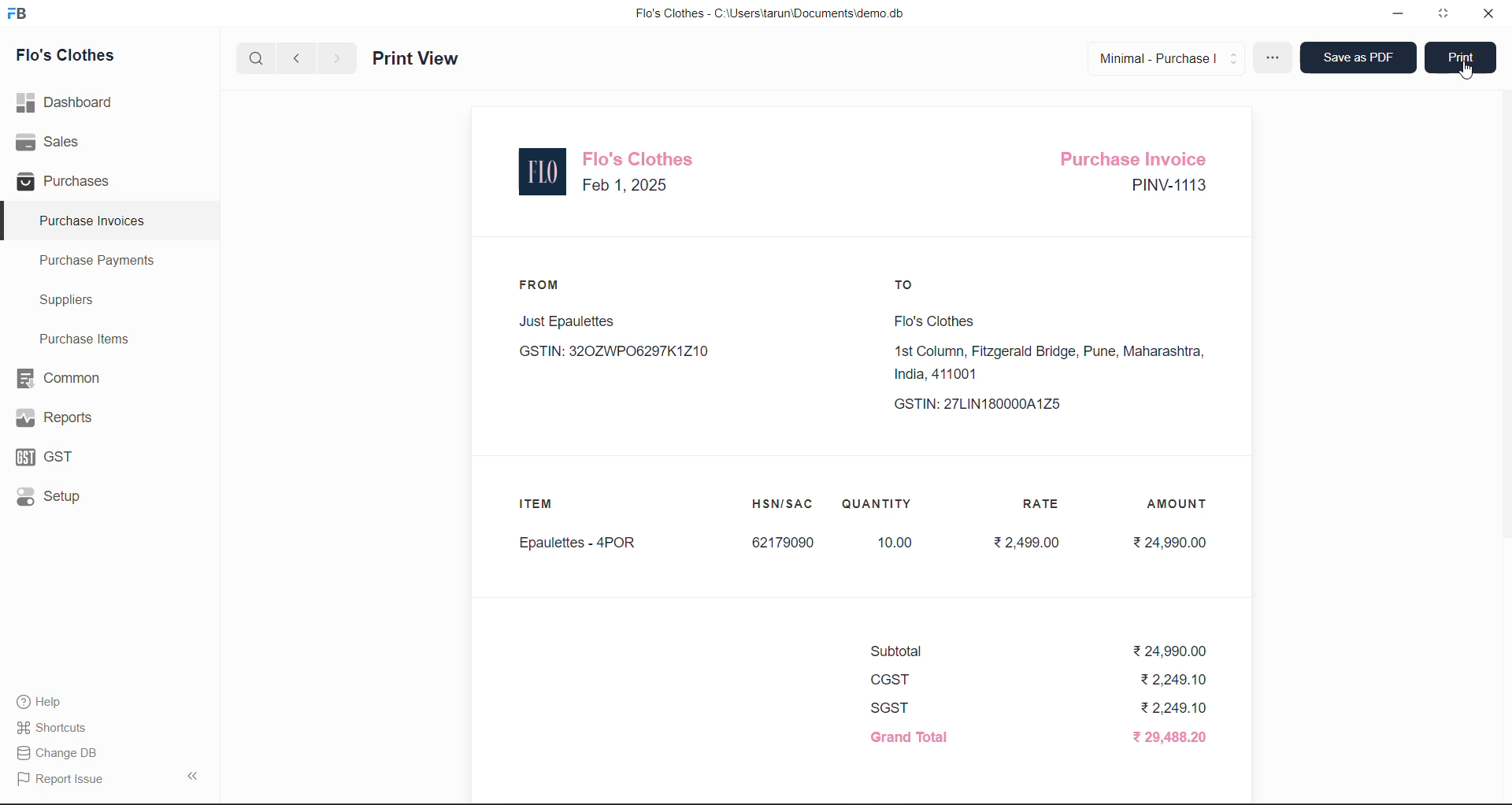  Describe the element at coordinates (543, 507) in the screenshot. I see `ITEM` at that location.